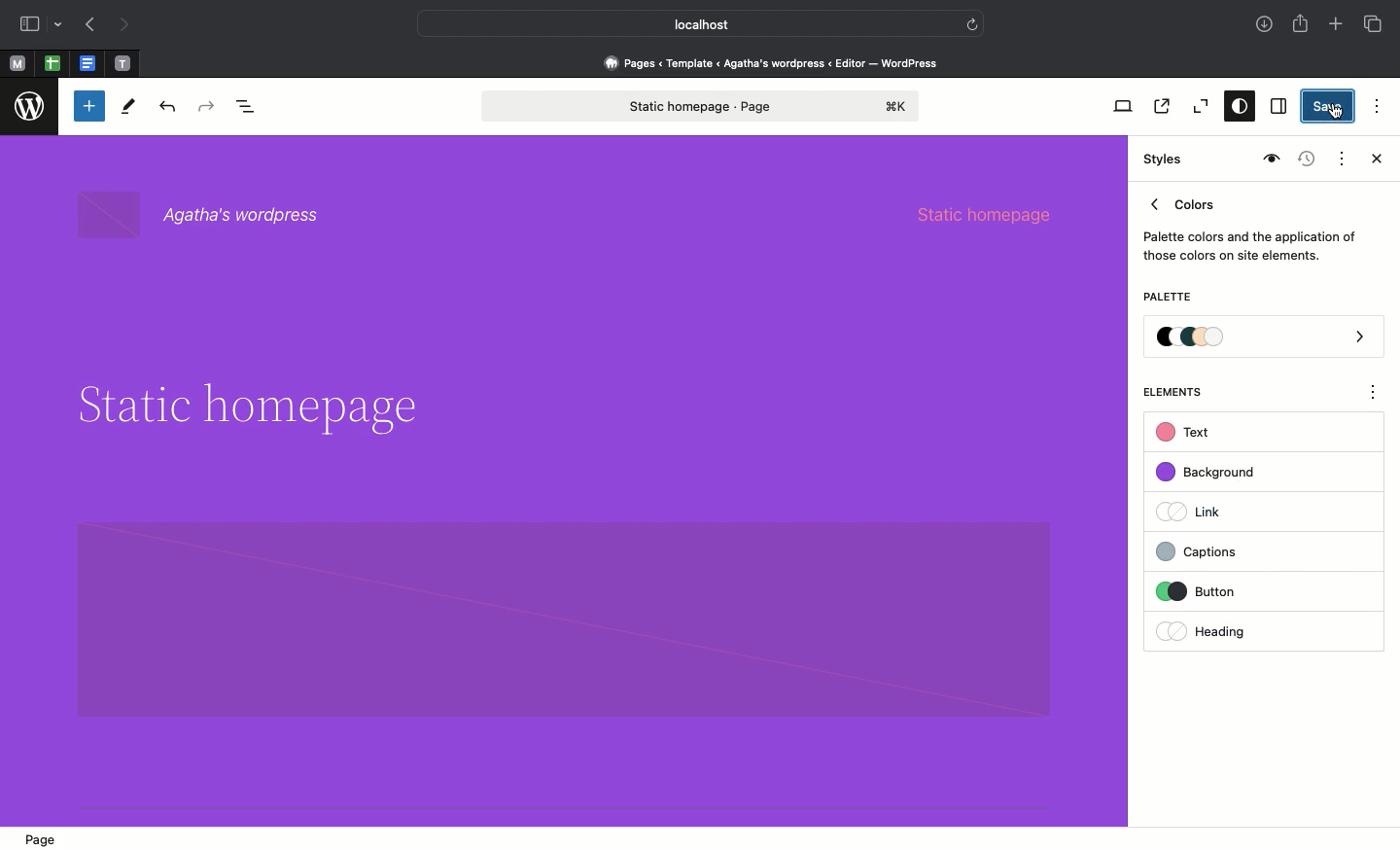  Describe the element at coordinates (1302, 23) in the screenshot. I see `Share` at that location.